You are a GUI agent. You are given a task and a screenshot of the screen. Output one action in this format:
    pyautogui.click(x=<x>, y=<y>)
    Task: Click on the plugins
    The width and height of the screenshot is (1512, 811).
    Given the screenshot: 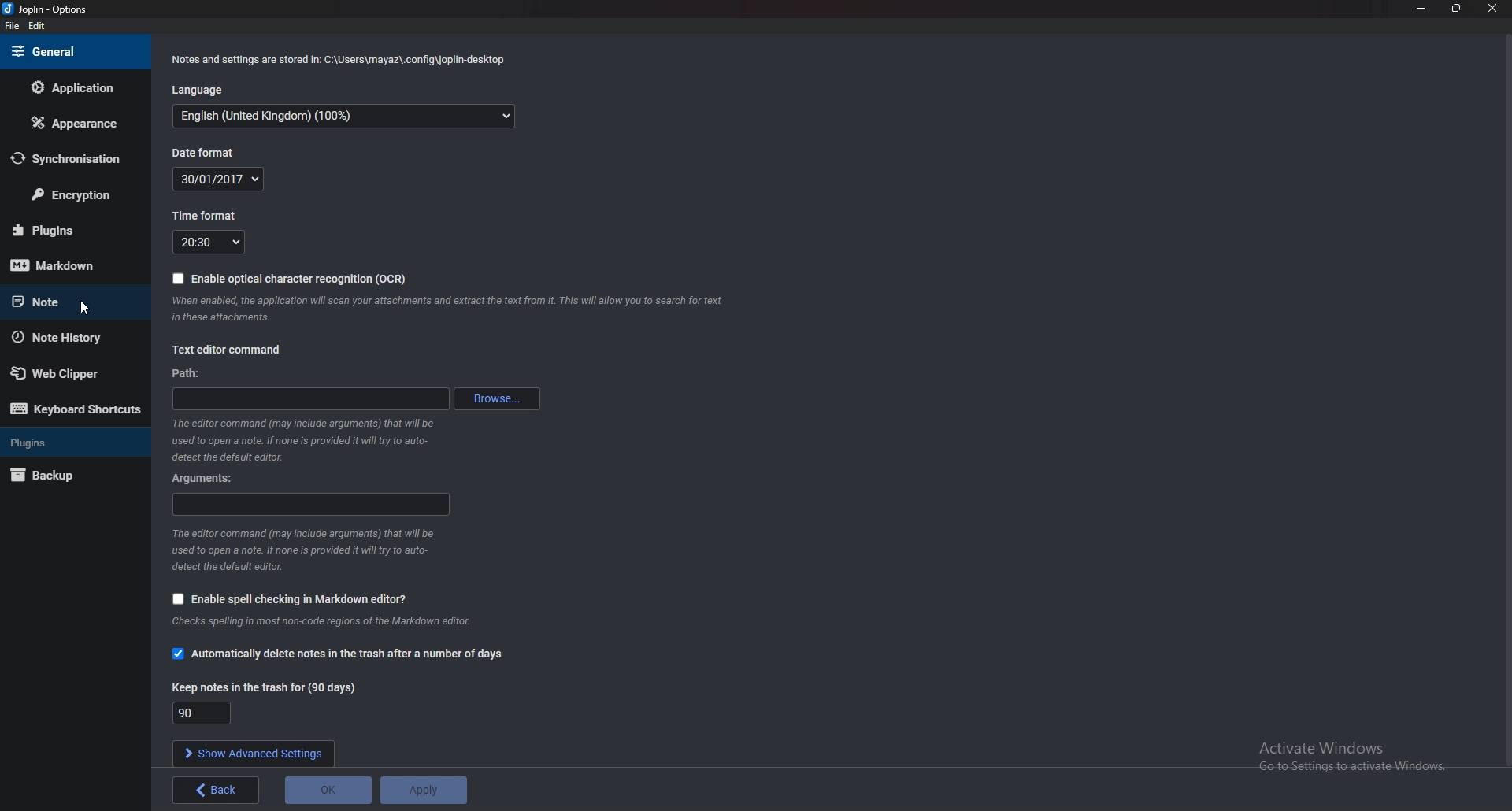 What is the action you would take?
    pyautogui.click(x=65, y=443)
    